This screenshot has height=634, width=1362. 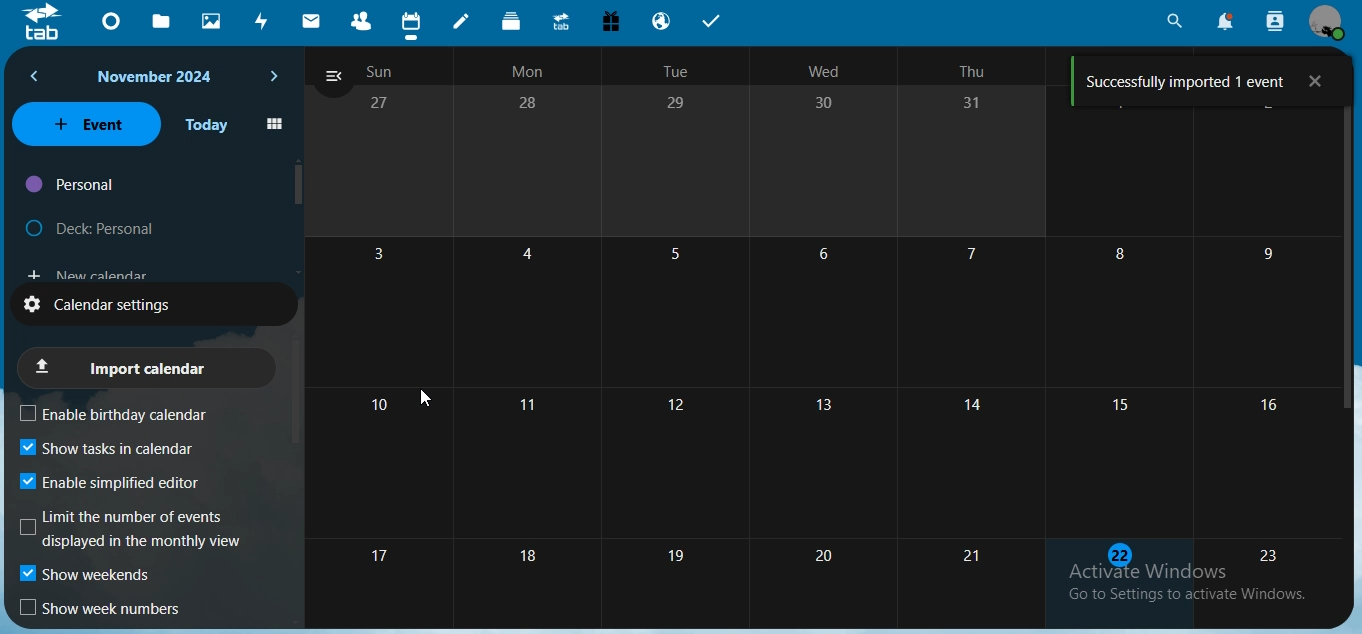 I want to click on close navigation, so click(x=333, y=78).